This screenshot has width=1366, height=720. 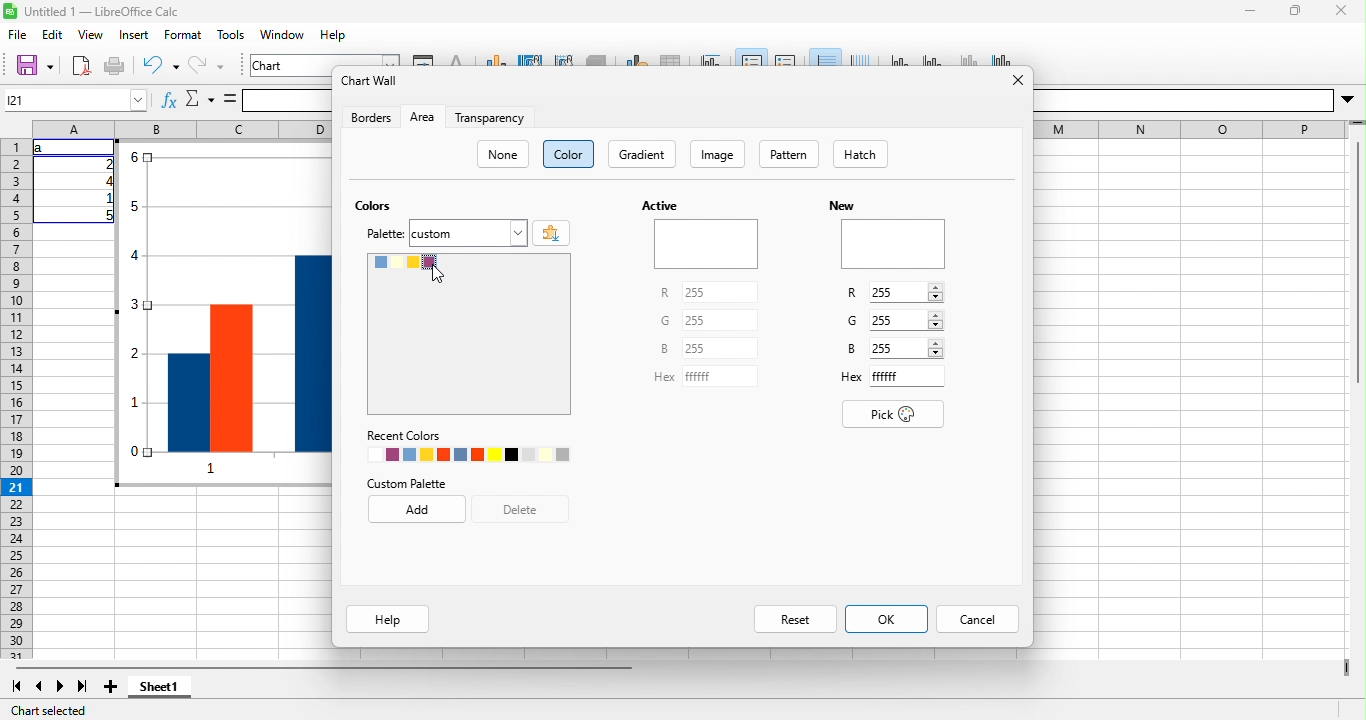 I want to click on fx, so click(x=169, y=99).